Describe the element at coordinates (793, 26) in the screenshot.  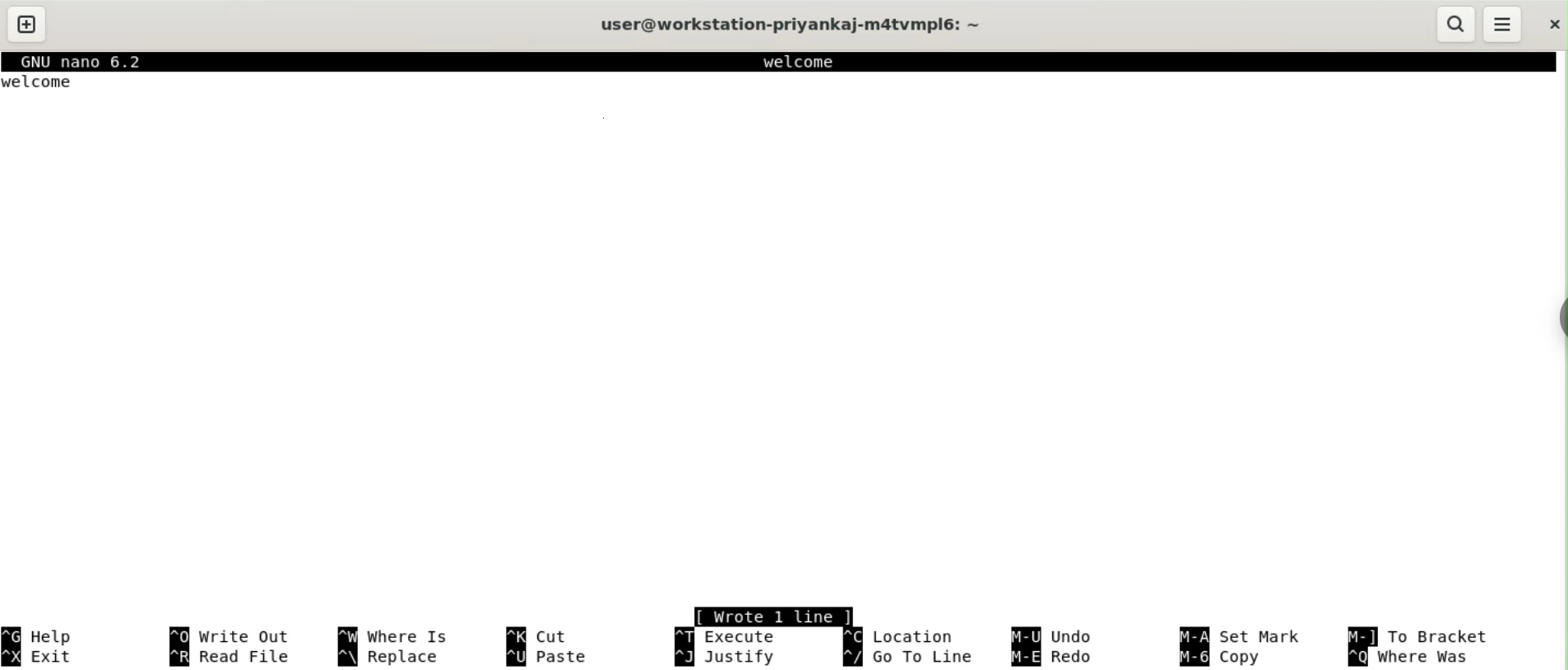
I see `user@workstation-privankaj-m4atvmplé6: ~` at that location.